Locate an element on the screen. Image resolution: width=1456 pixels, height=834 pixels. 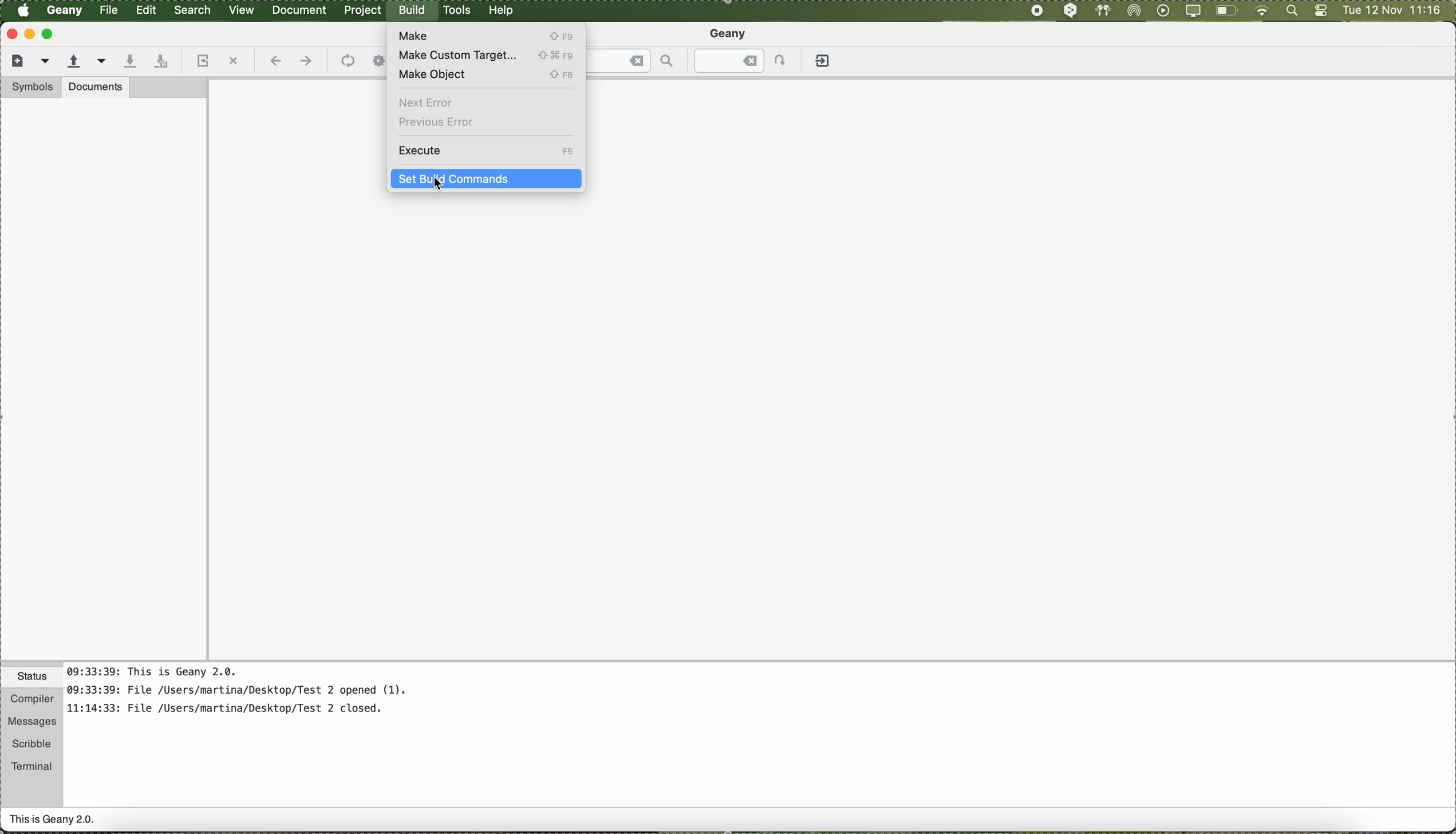
project is located at coordinates (362, 10).